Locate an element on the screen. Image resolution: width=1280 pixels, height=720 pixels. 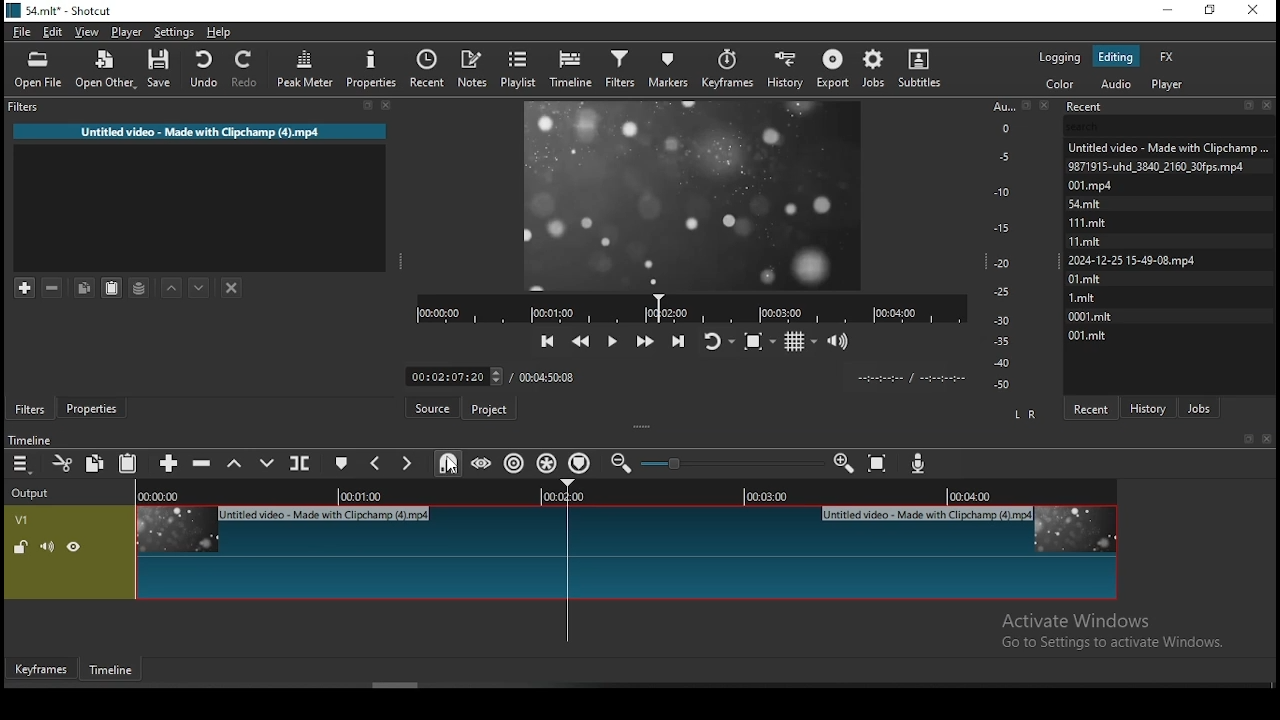
zoom timeline to fit is located at coordinates (879, 464).